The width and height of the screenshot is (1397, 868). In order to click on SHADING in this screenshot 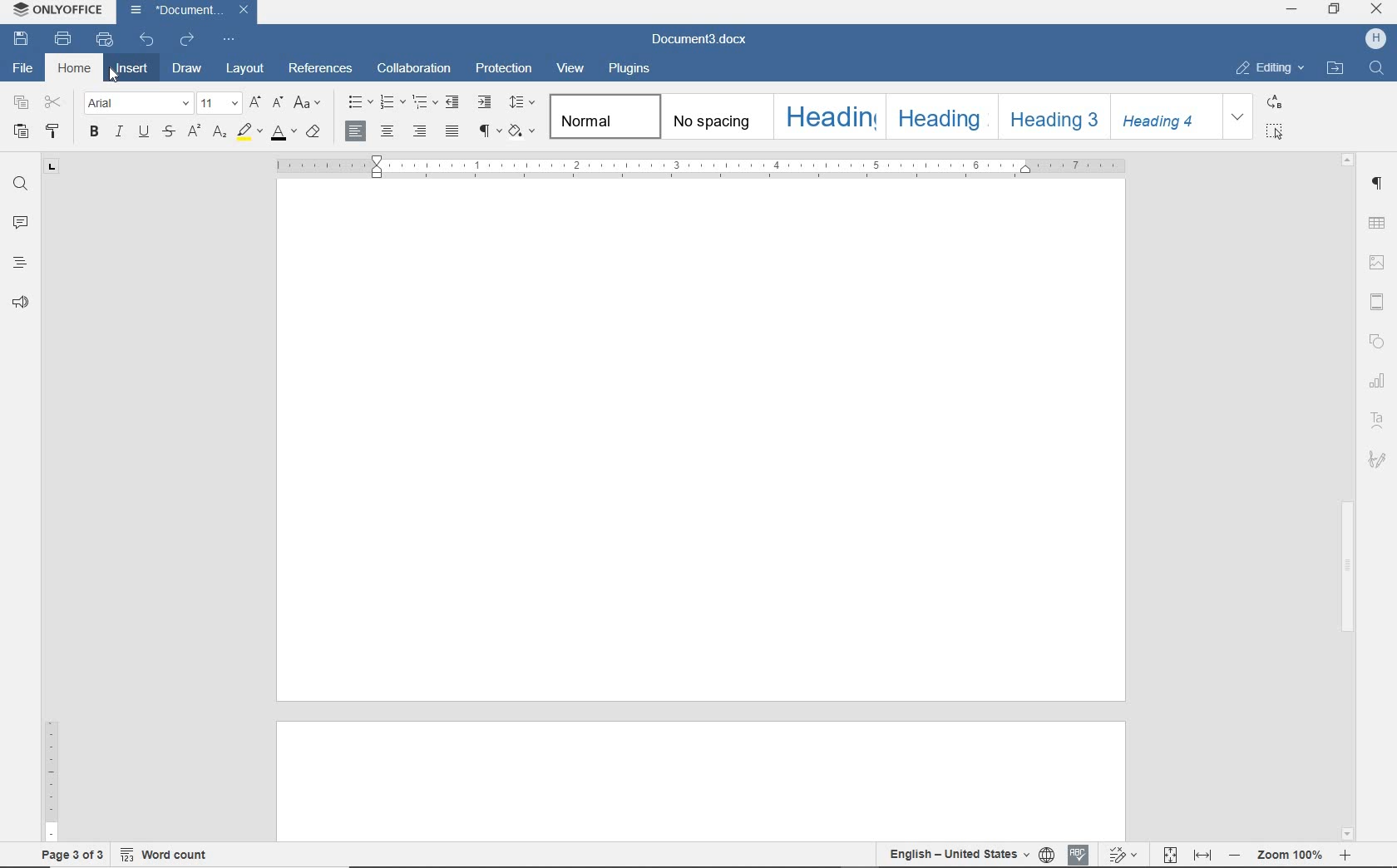, I will do `click(520, 129)`.